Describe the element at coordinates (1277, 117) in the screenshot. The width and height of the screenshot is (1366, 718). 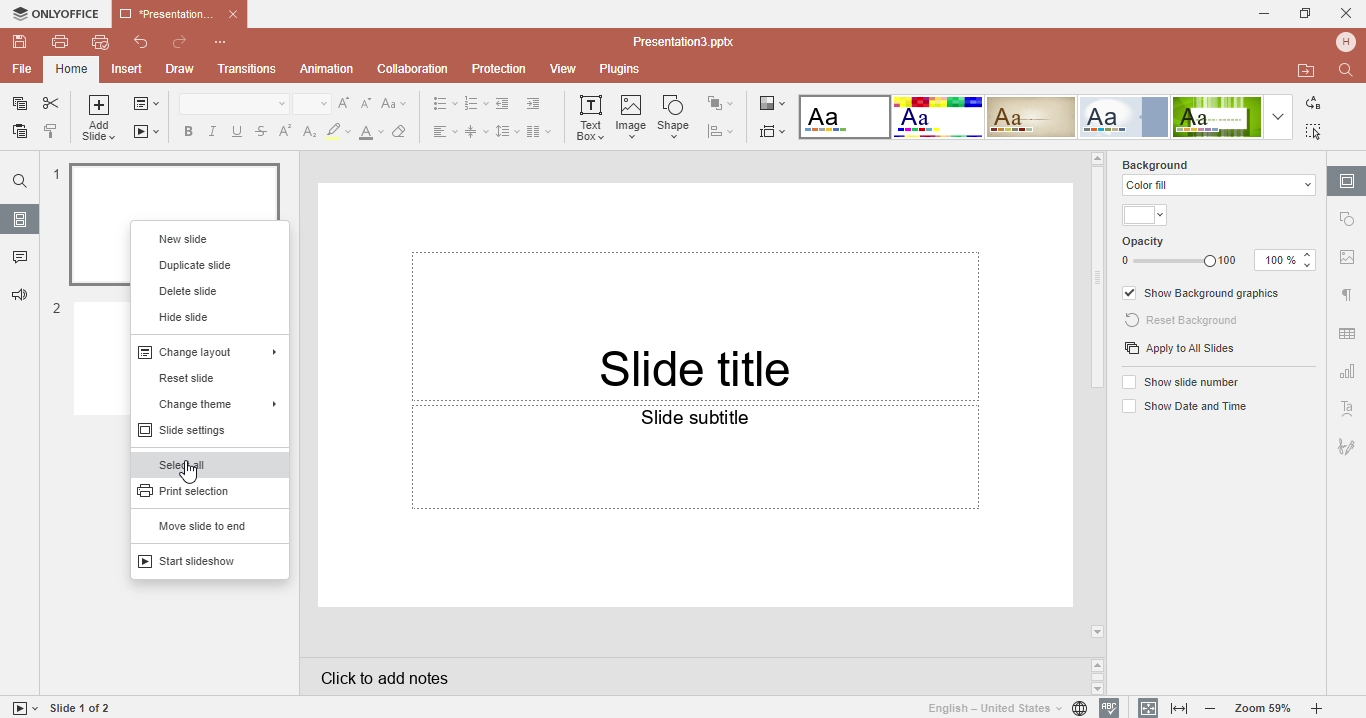
I see `Drop down` at that location.